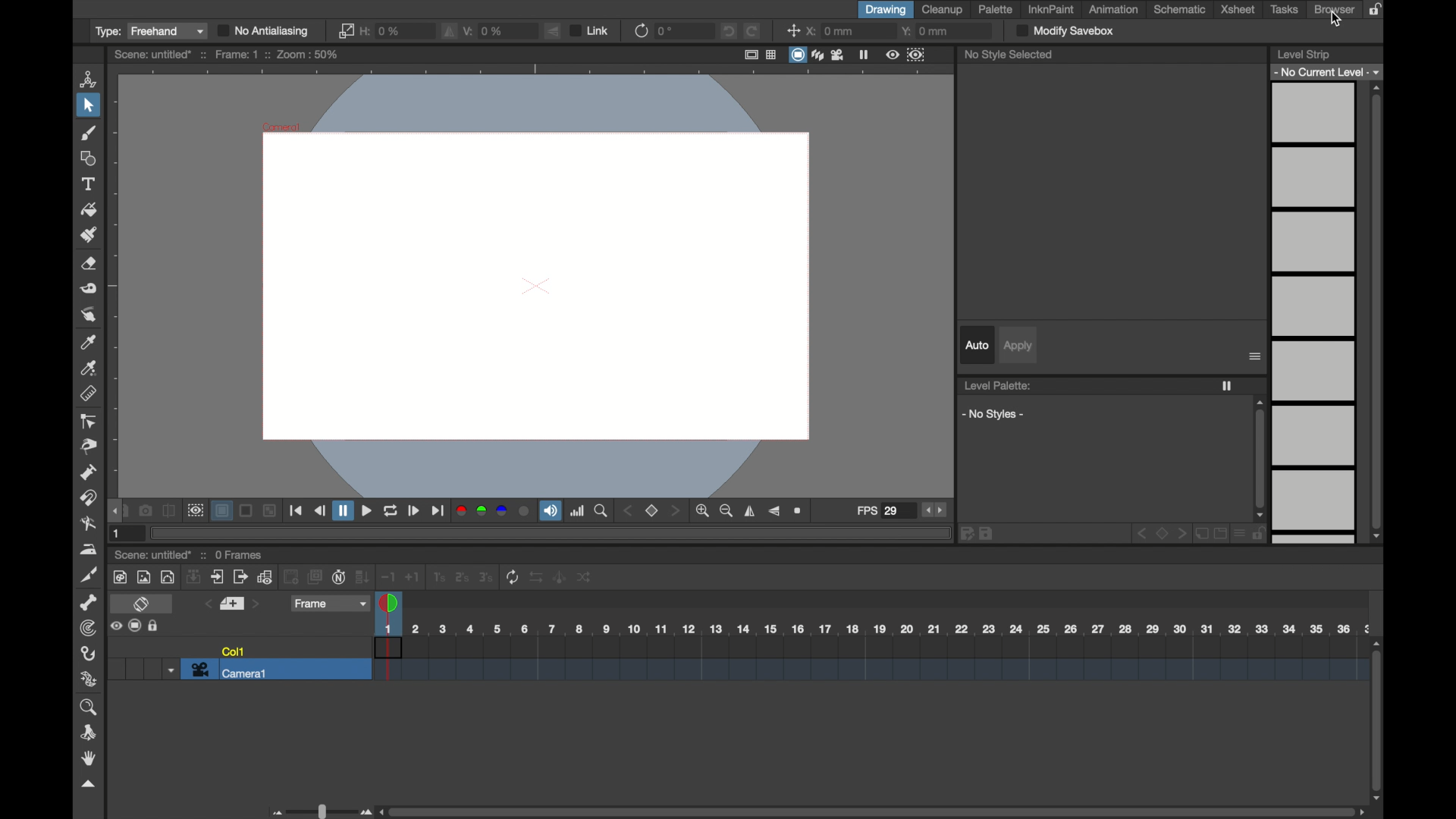 This screenshot has height=819, width=1456. Describe the element at coordinates (346, 31) in the screenshot. I see `link` at that location.